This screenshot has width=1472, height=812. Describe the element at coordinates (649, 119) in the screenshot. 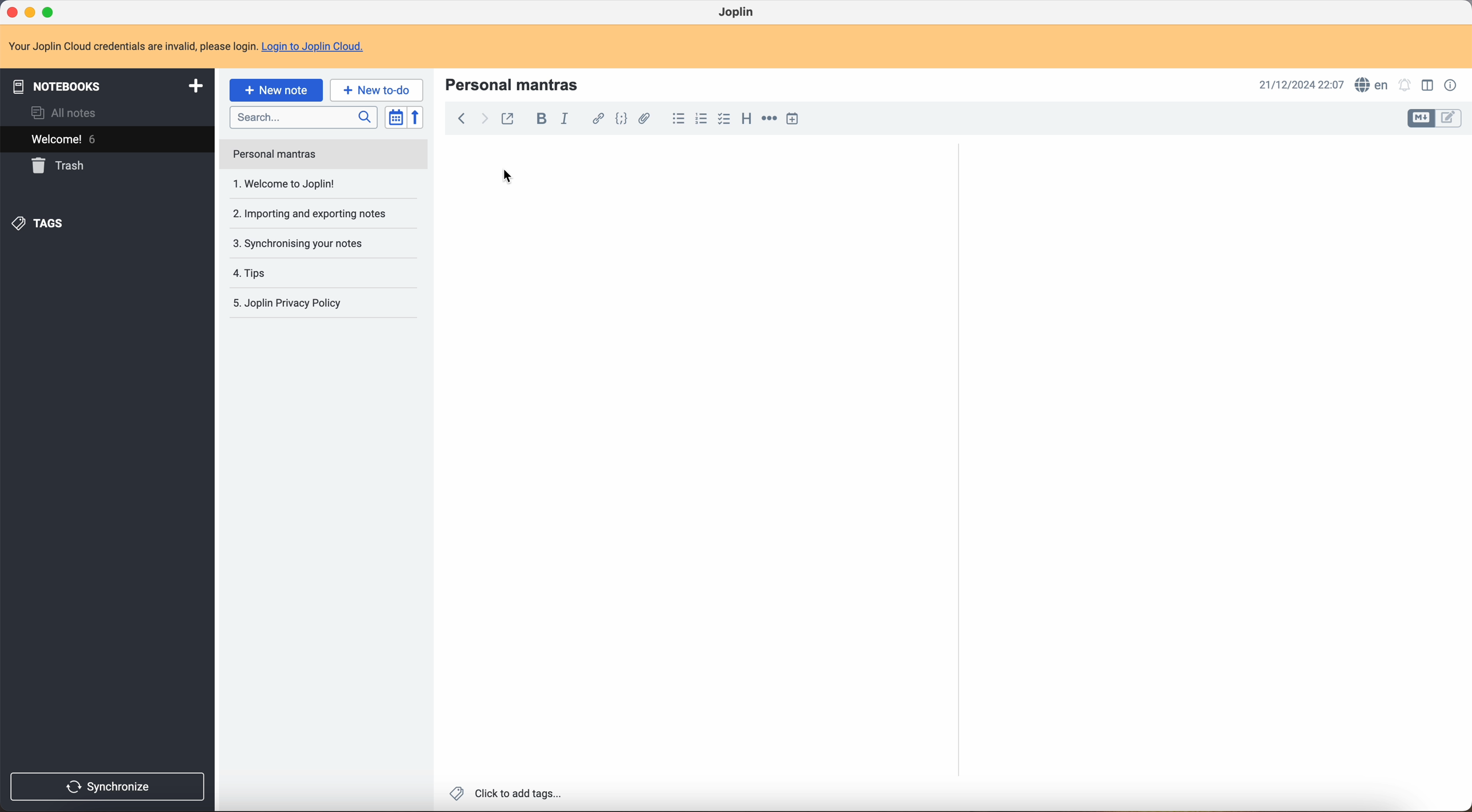

I see `attach file` at that location.